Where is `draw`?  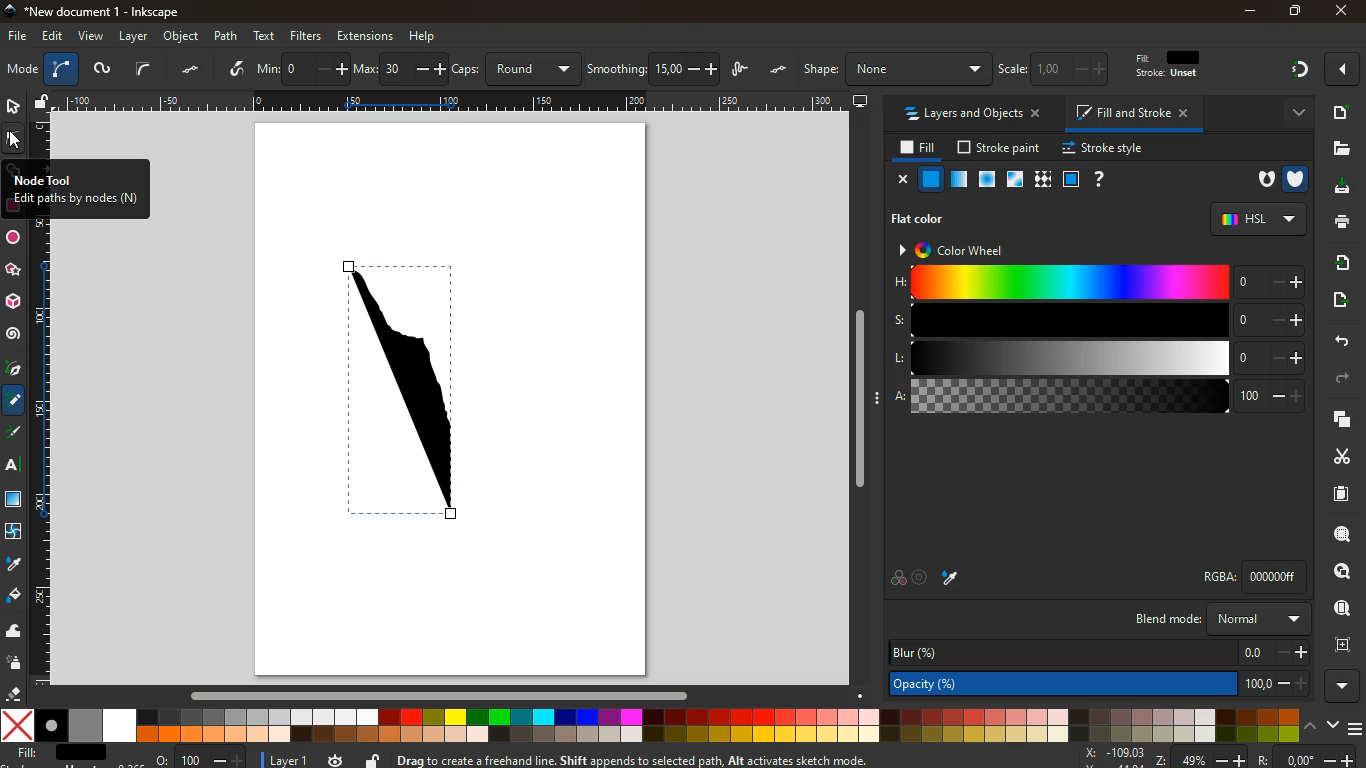 draw is located at coordinates (101, 68).